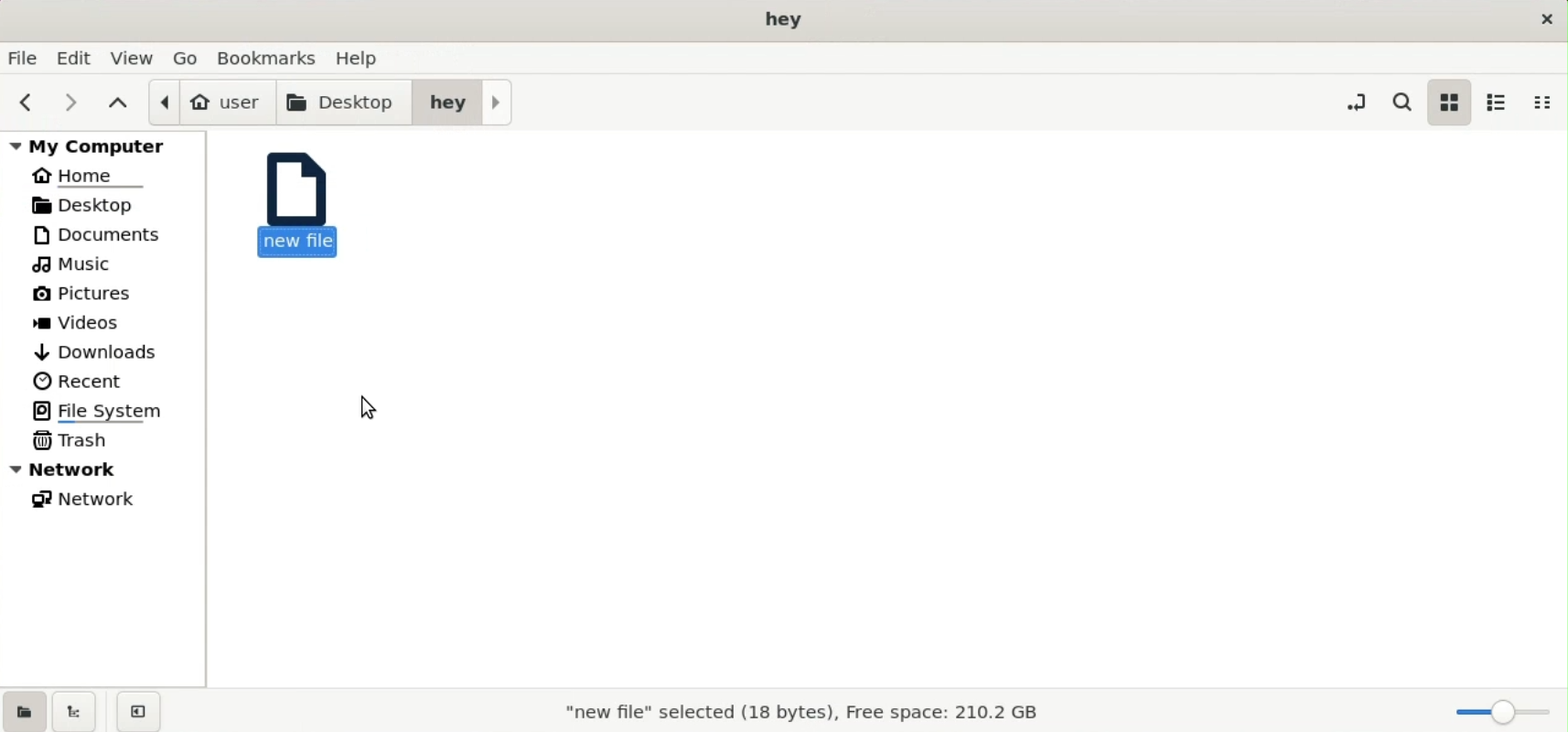 The height and width of the screenshot is (732, 1568). I want to click on recent, so click(80, 381).